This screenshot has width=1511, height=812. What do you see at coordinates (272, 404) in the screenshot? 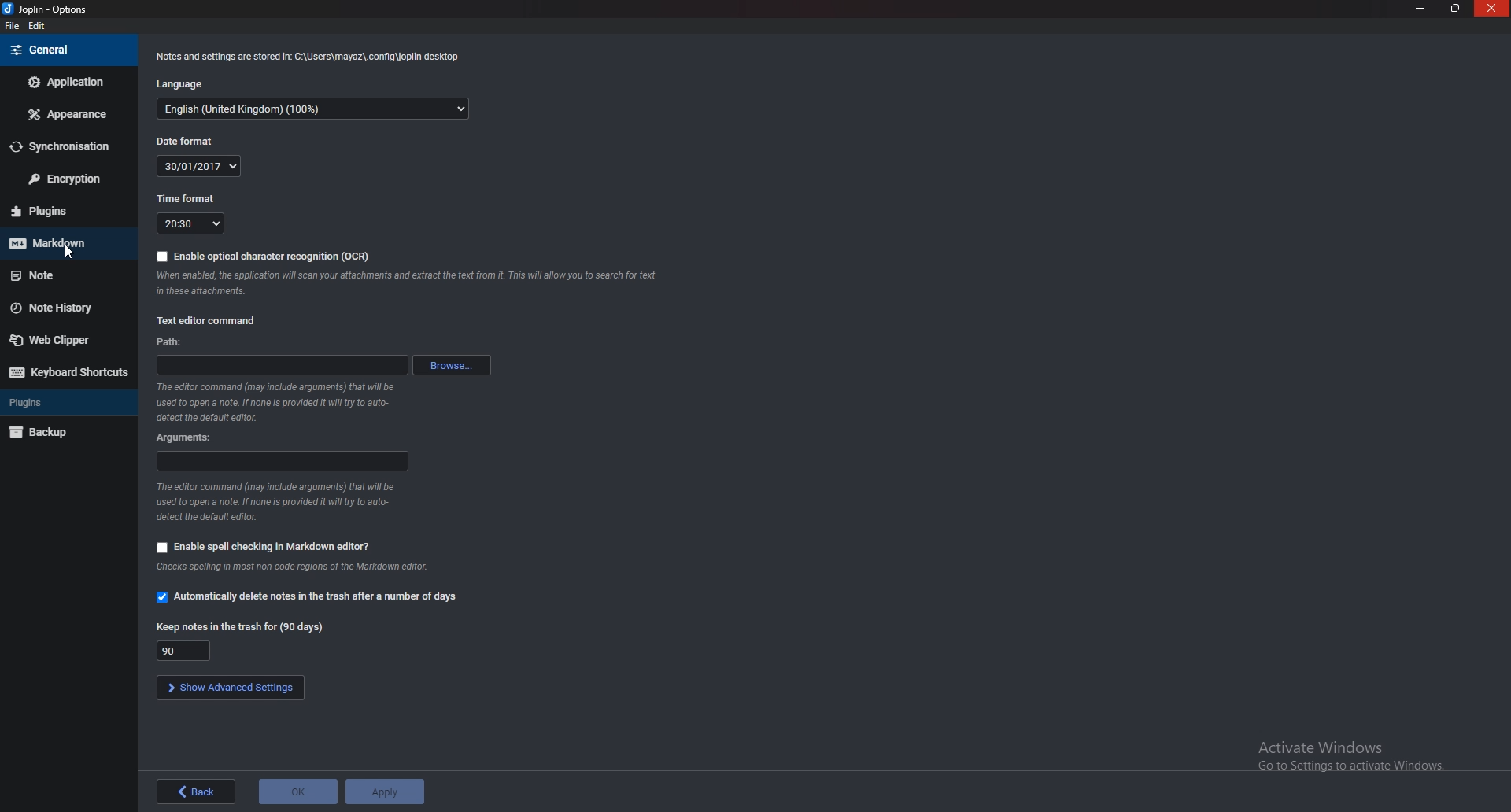
I see `Info` at bounding box center [272, 404].